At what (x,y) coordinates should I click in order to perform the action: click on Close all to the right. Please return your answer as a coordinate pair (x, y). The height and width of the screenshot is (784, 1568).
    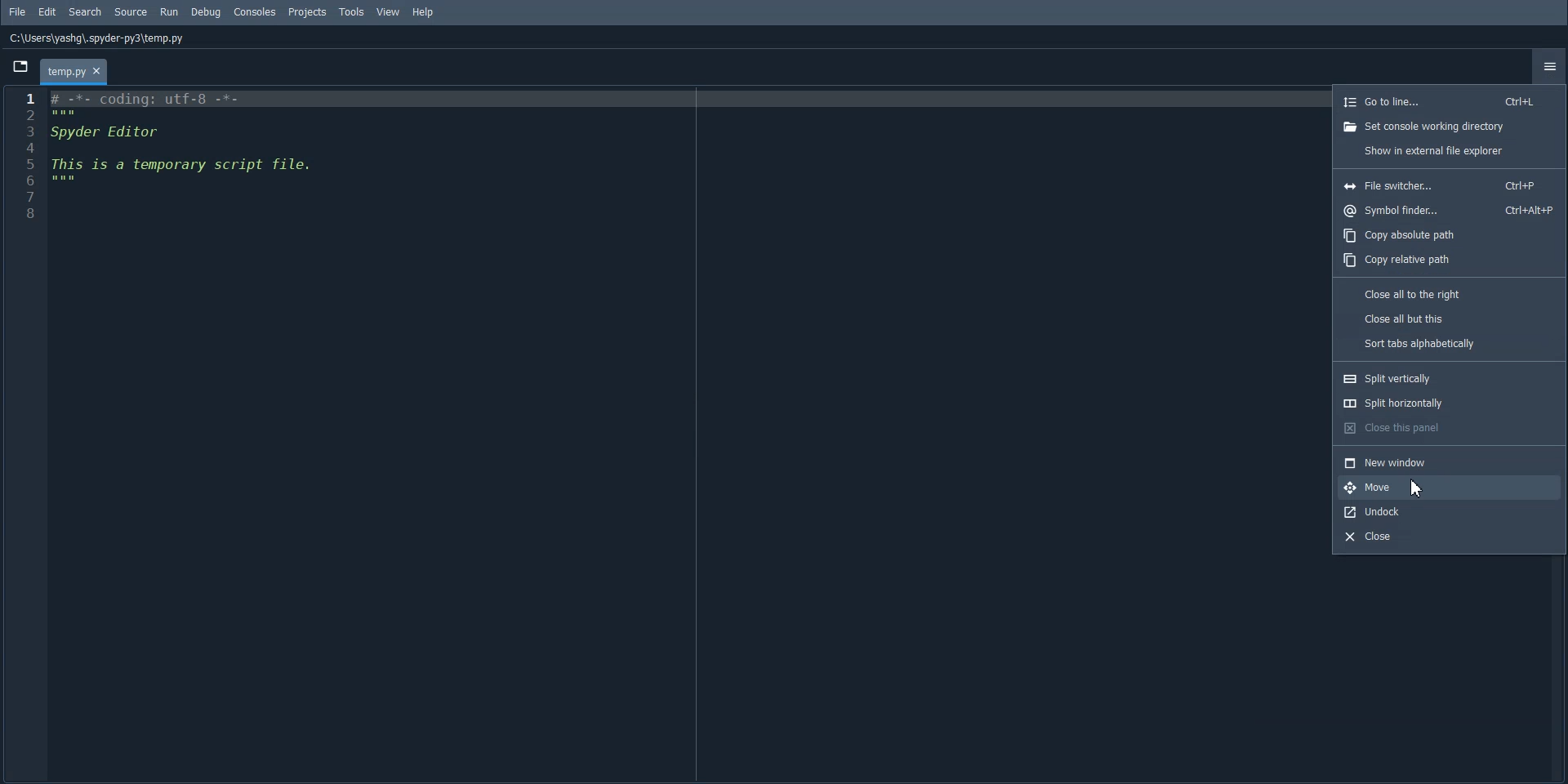
    Looking at the image, I should click on (1450, 292).